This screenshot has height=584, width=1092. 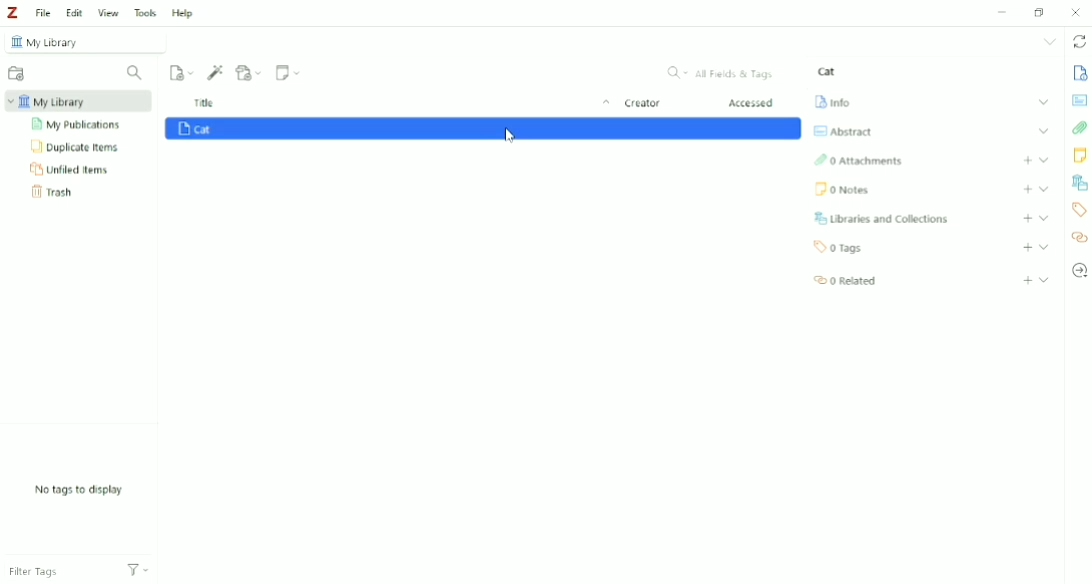 I want to click on Expand section, so click(x=1045, y=189).